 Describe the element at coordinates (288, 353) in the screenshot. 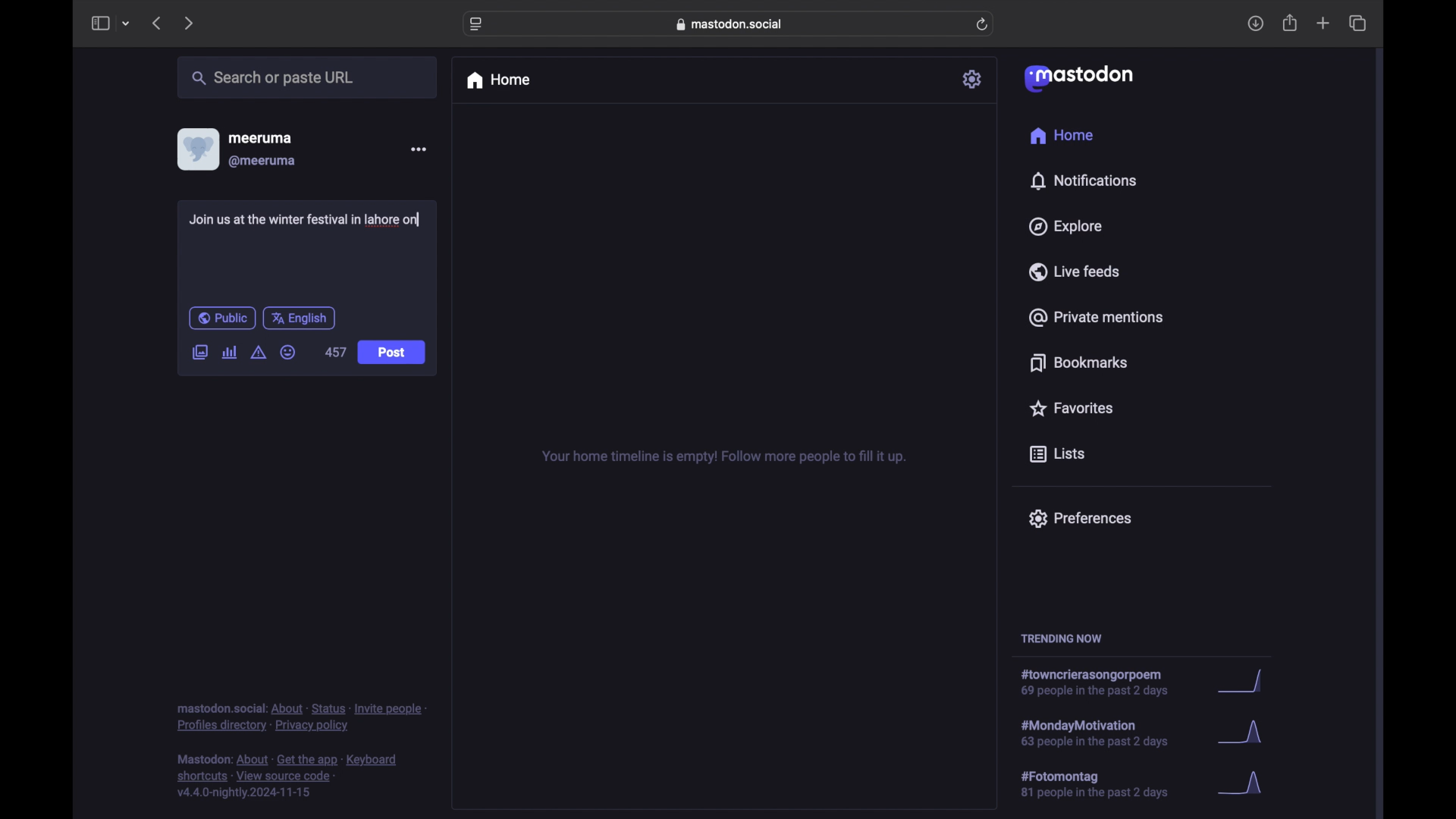

I see `emoji` at that location.